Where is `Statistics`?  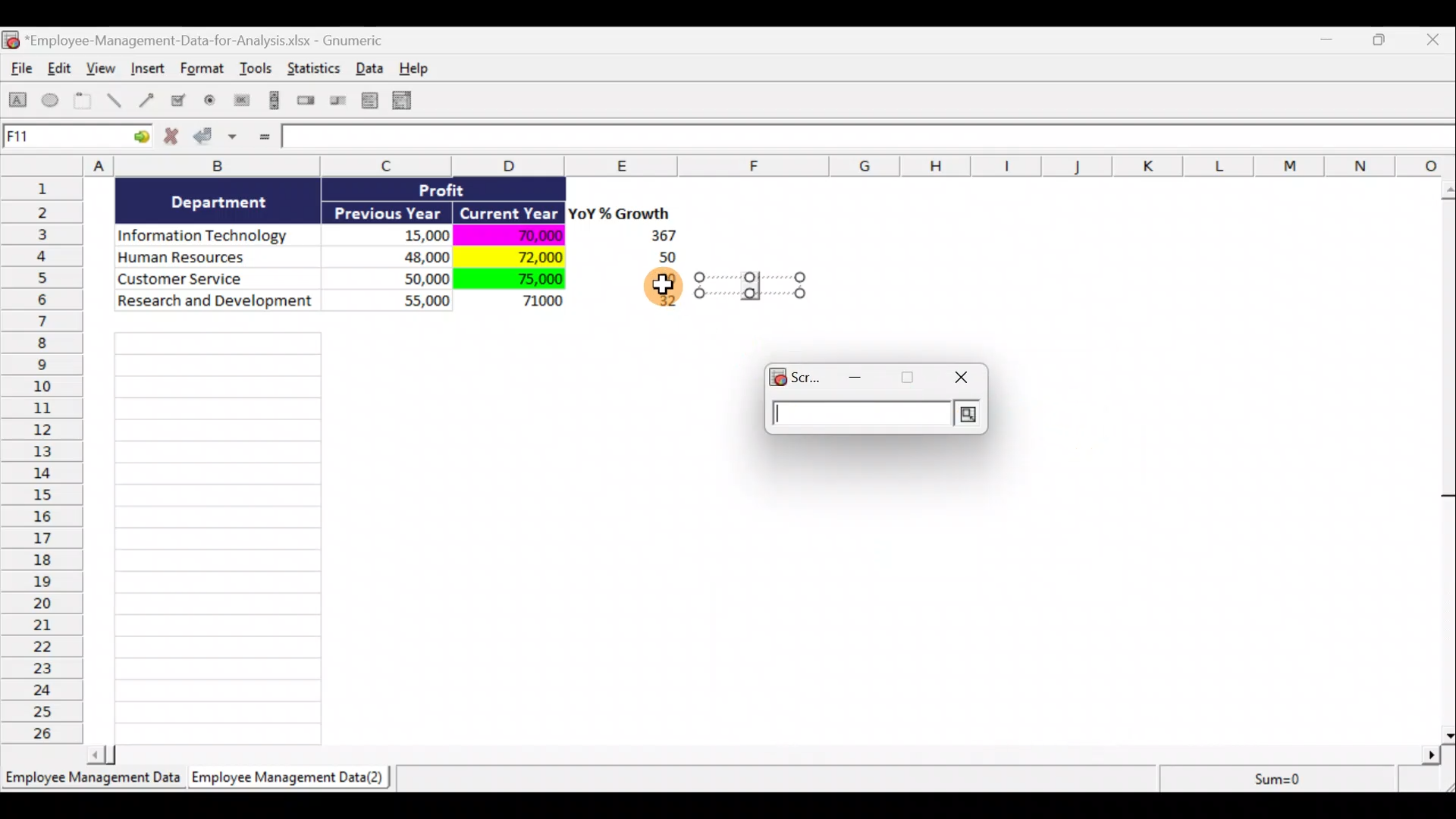 Statistics is located at coordinates (315, 73).